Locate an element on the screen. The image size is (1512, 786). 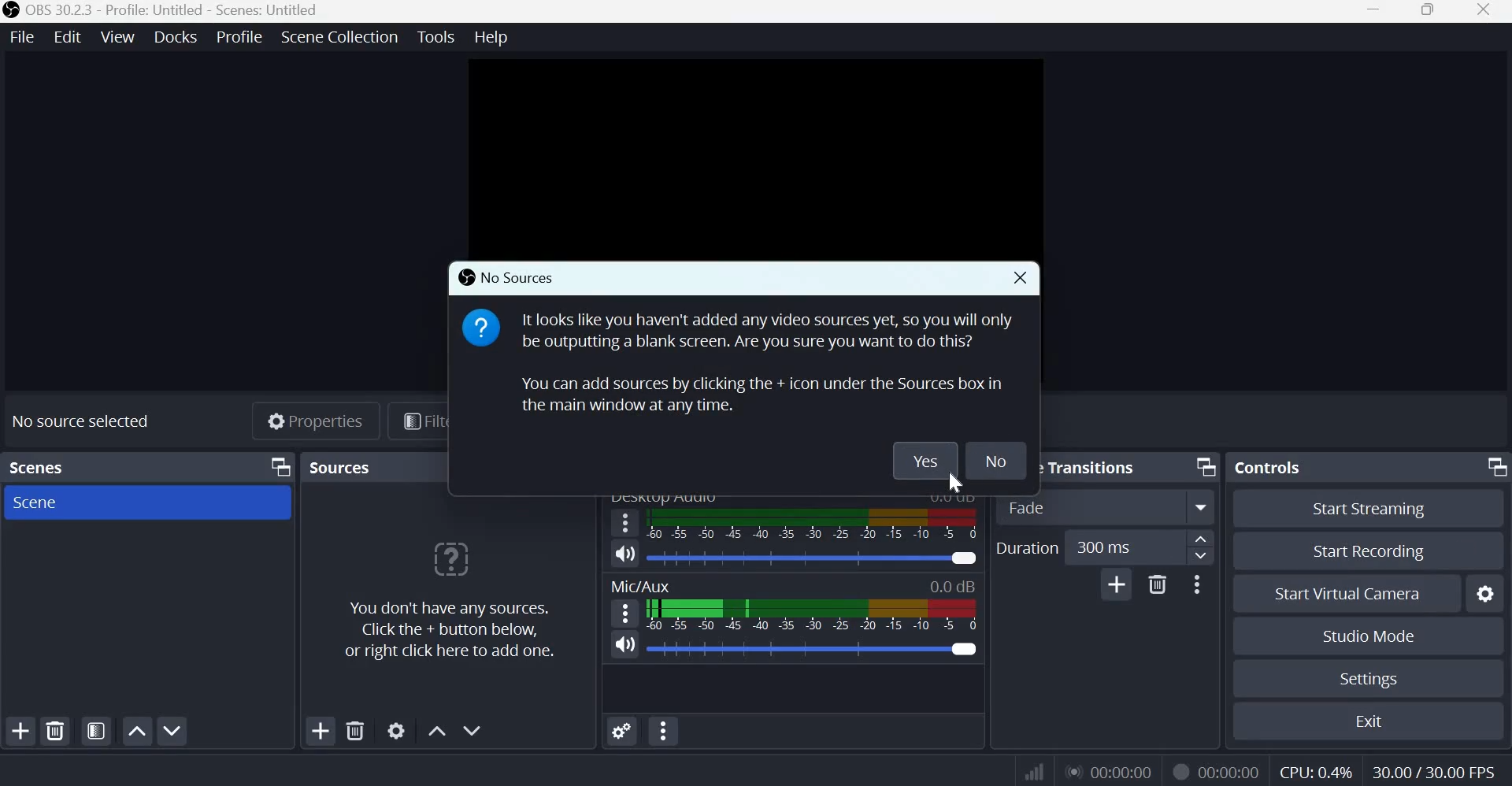
Sources is located at coordinates (365, 466).